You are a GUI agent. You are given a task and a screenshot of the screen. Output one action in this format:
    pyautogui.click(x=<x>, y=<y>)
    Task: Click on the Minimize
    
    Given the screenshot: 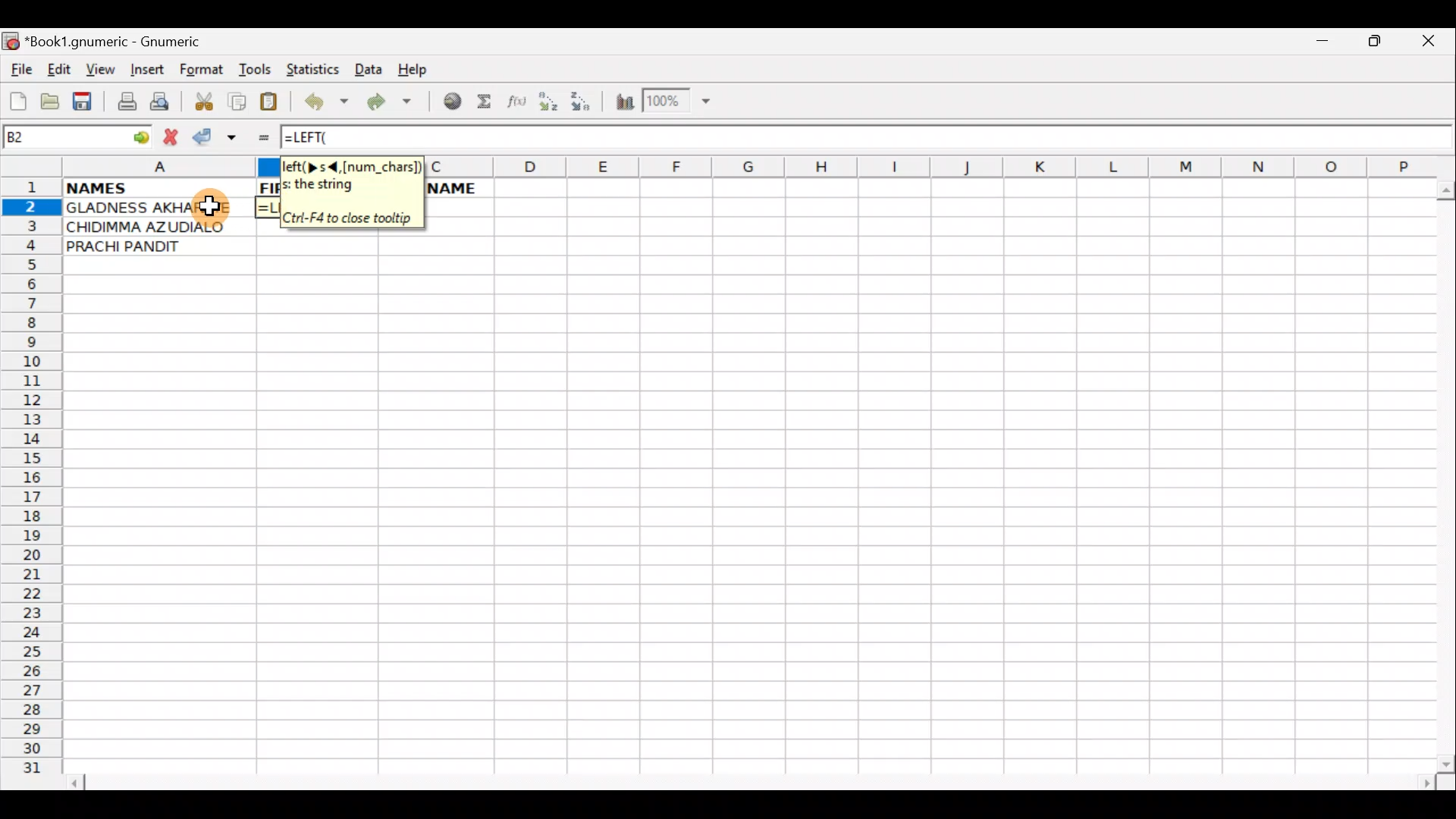 What is the action you would take?
    pyautogui.click(x=1319, y=45)
    